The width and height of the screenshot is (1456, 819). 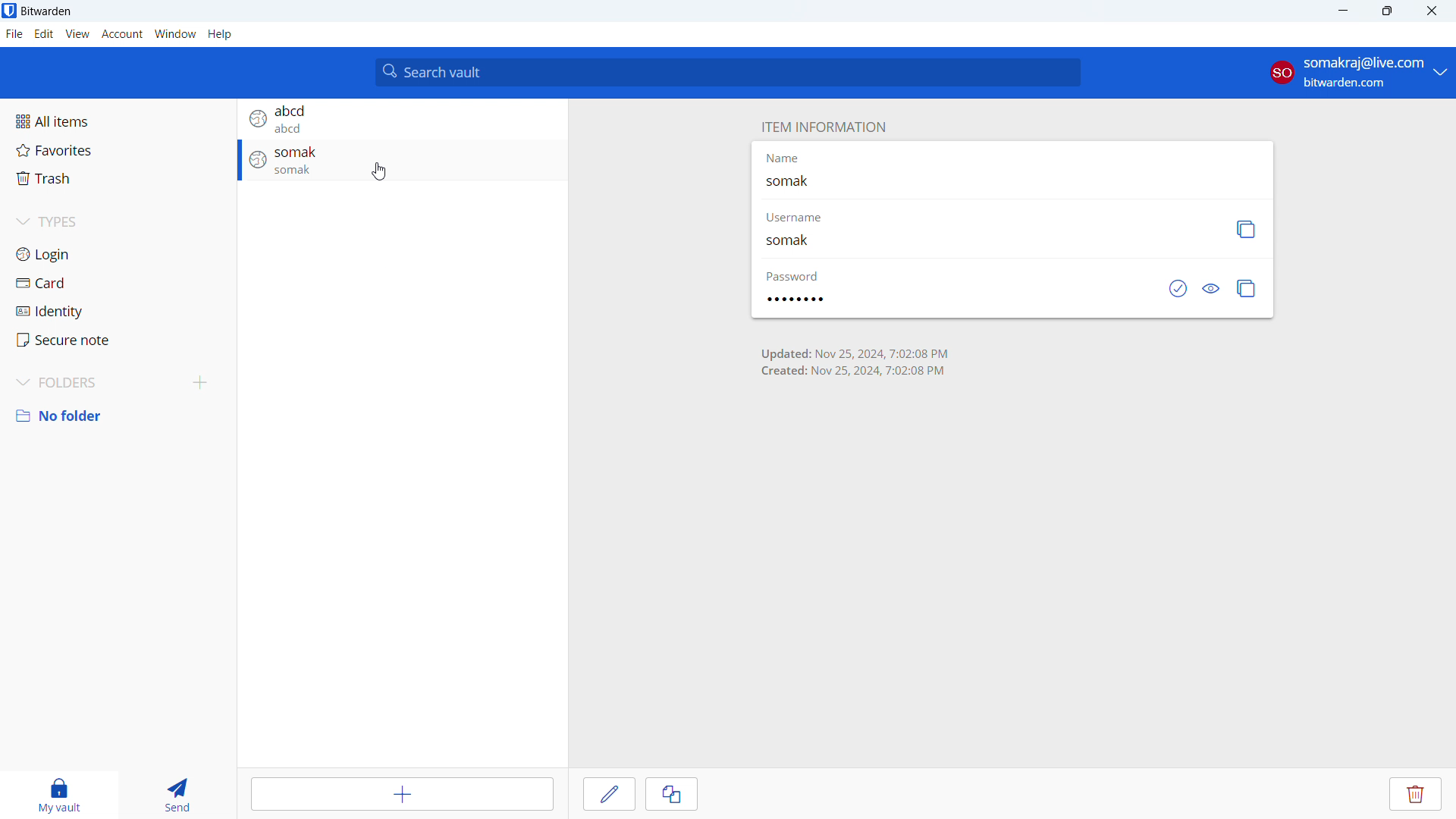 What do you see at coordinates (672, 794) in the screenshot?
I see `clone` at bounding box center [672, 794].